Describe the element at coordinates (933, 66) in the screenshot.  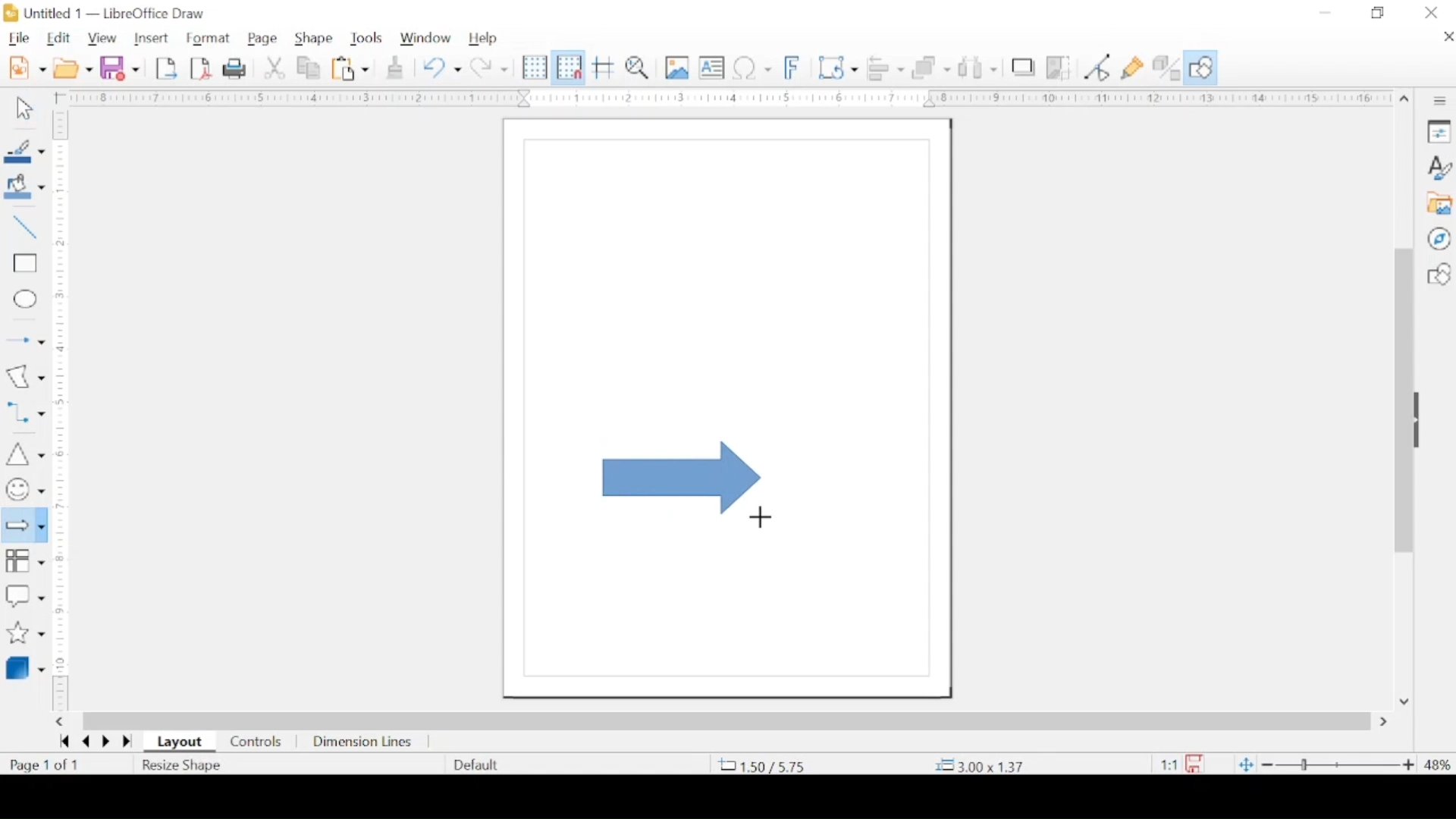
I see `arrange` at that location.